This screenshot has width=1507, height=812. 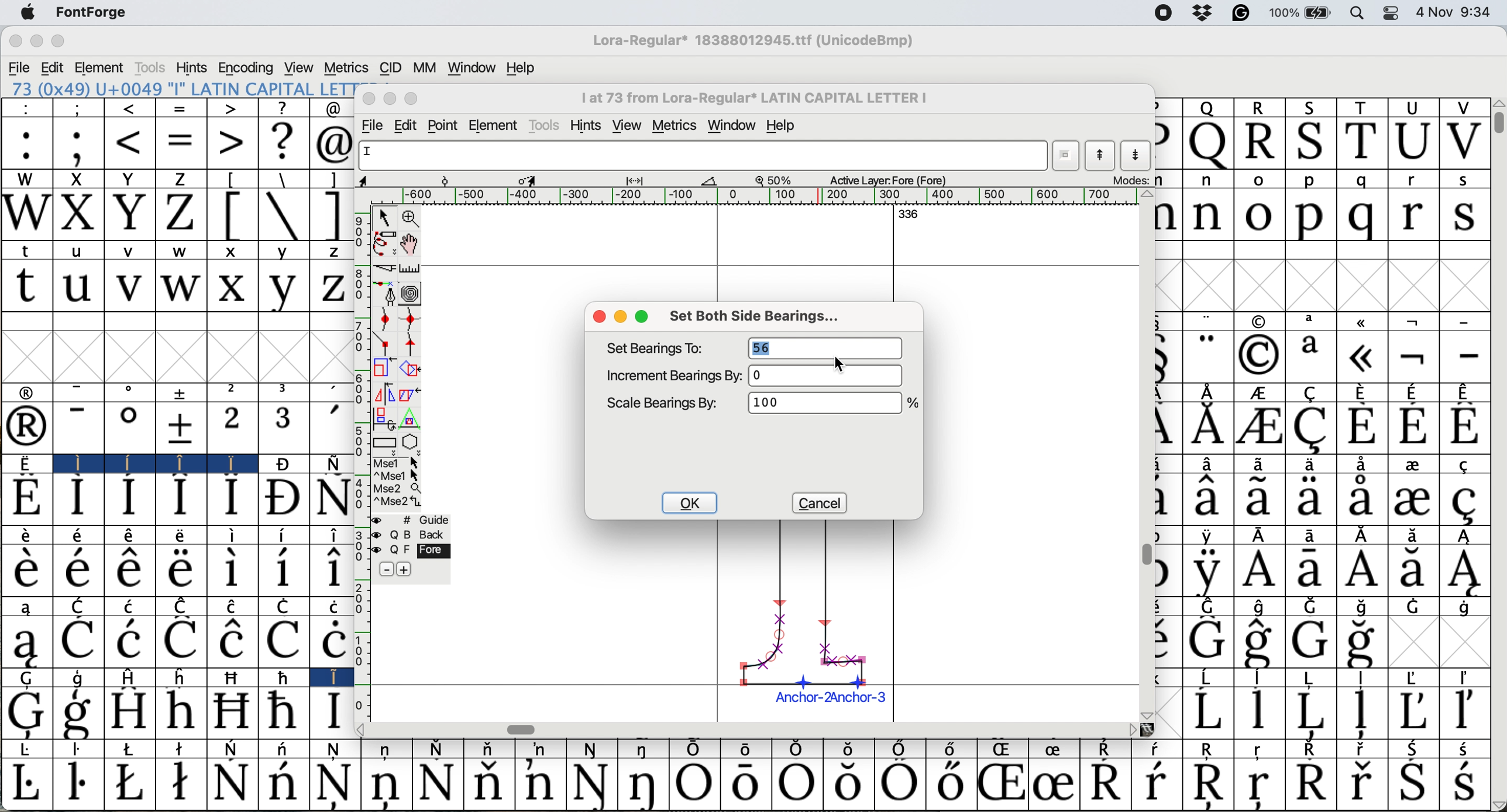 What do you see at coordinates (1212, 749) in the screenshot?
I see `Symbol` at bounding box center [1212, 749].